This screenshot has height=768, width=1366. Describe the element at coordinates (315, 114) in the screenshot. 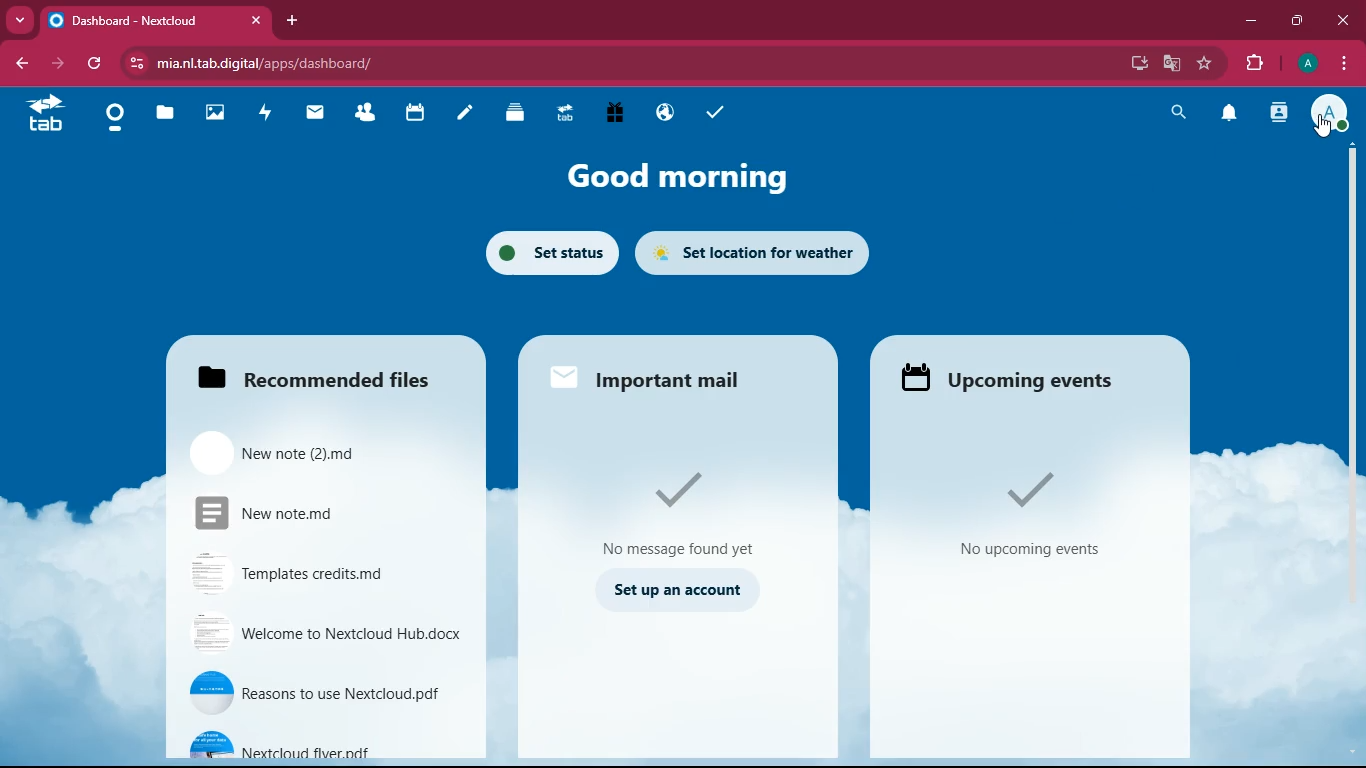

I see `mail` at that location.